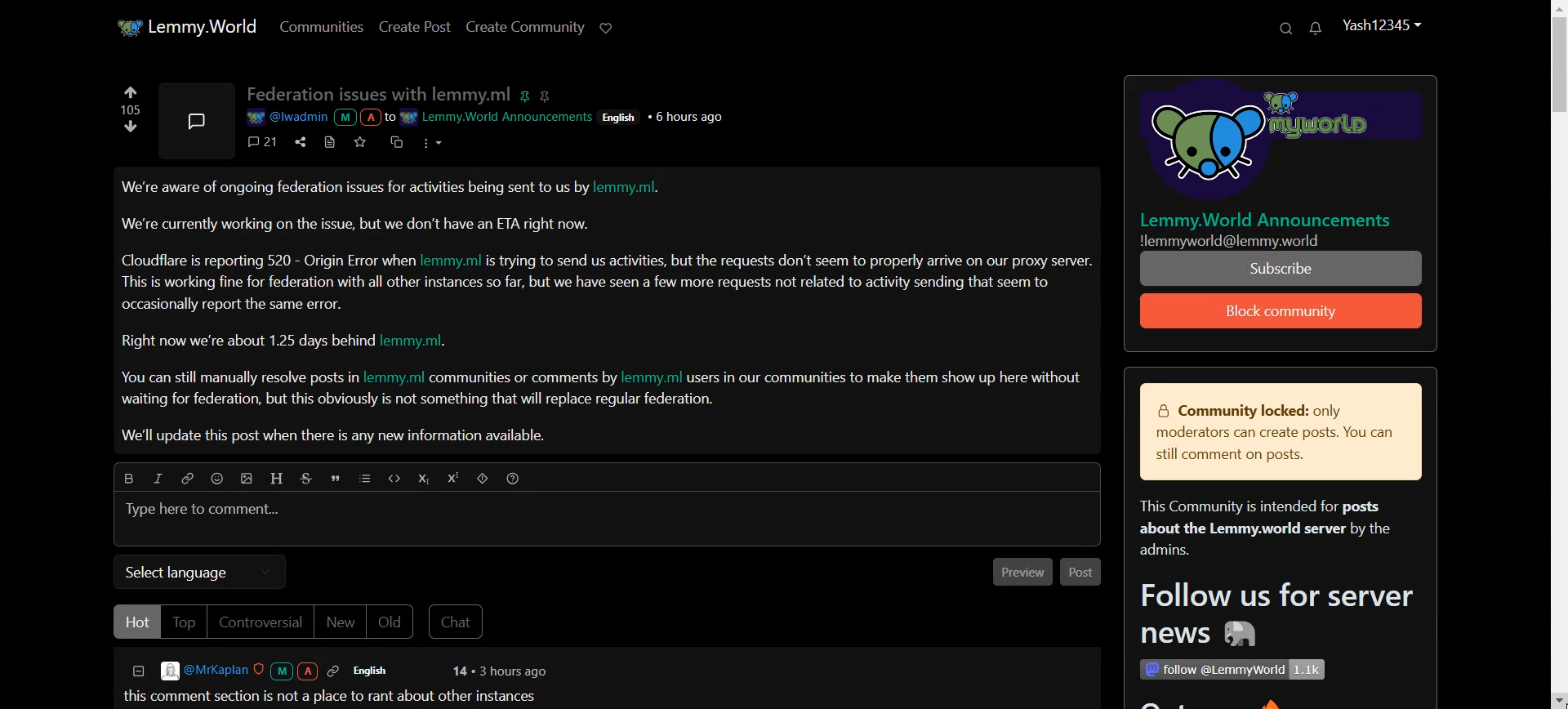 This screenshot has height=709, width=1568. What do you see at coordinates (1236, 239) in the screenshot?
I see `Illemmyworld@lemmy.world` at bounding box center [1236, 239].